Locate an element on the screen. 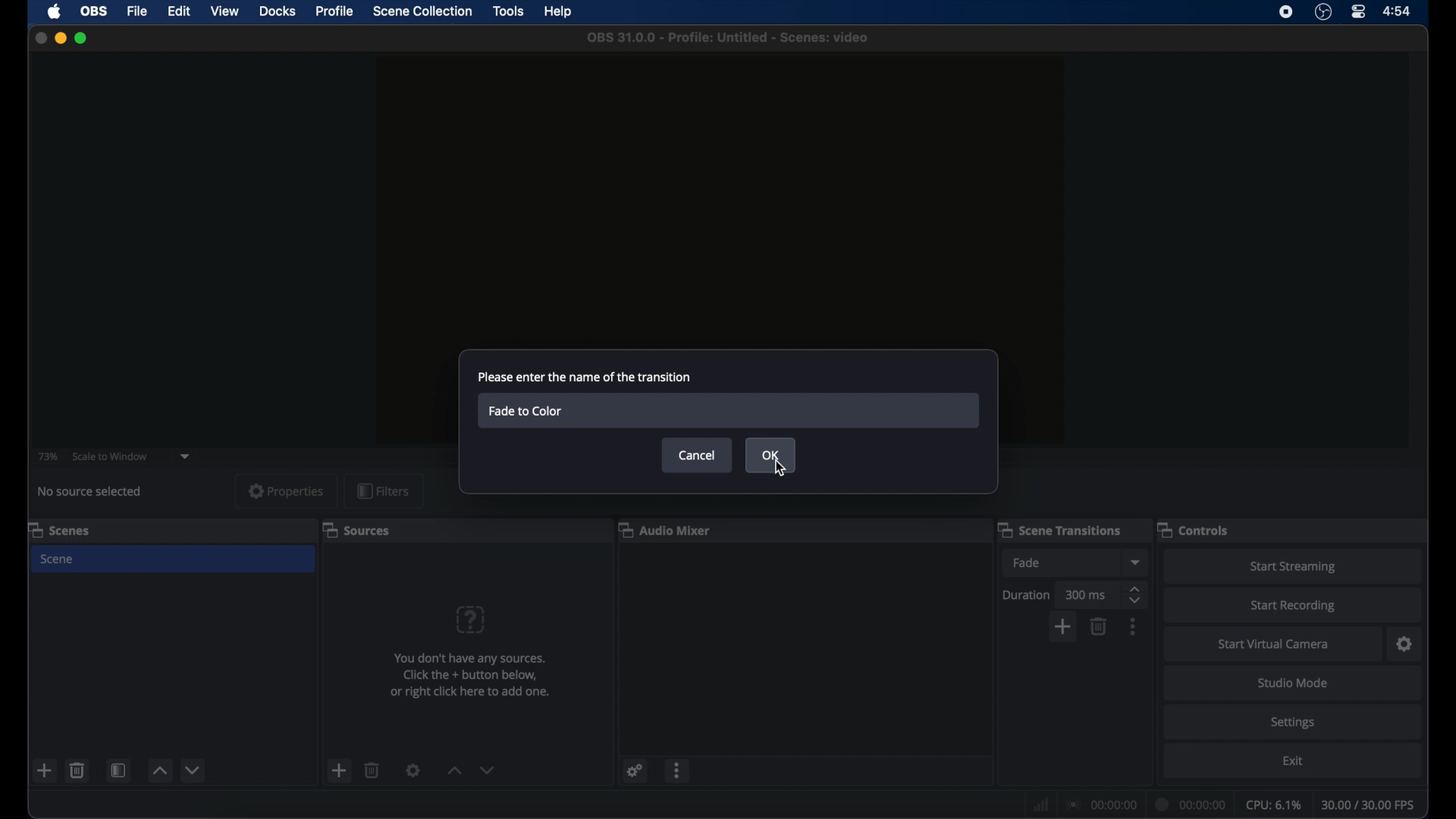 This screenshot has height=819, width=1456. controls is located at coordinates (1192, 529).